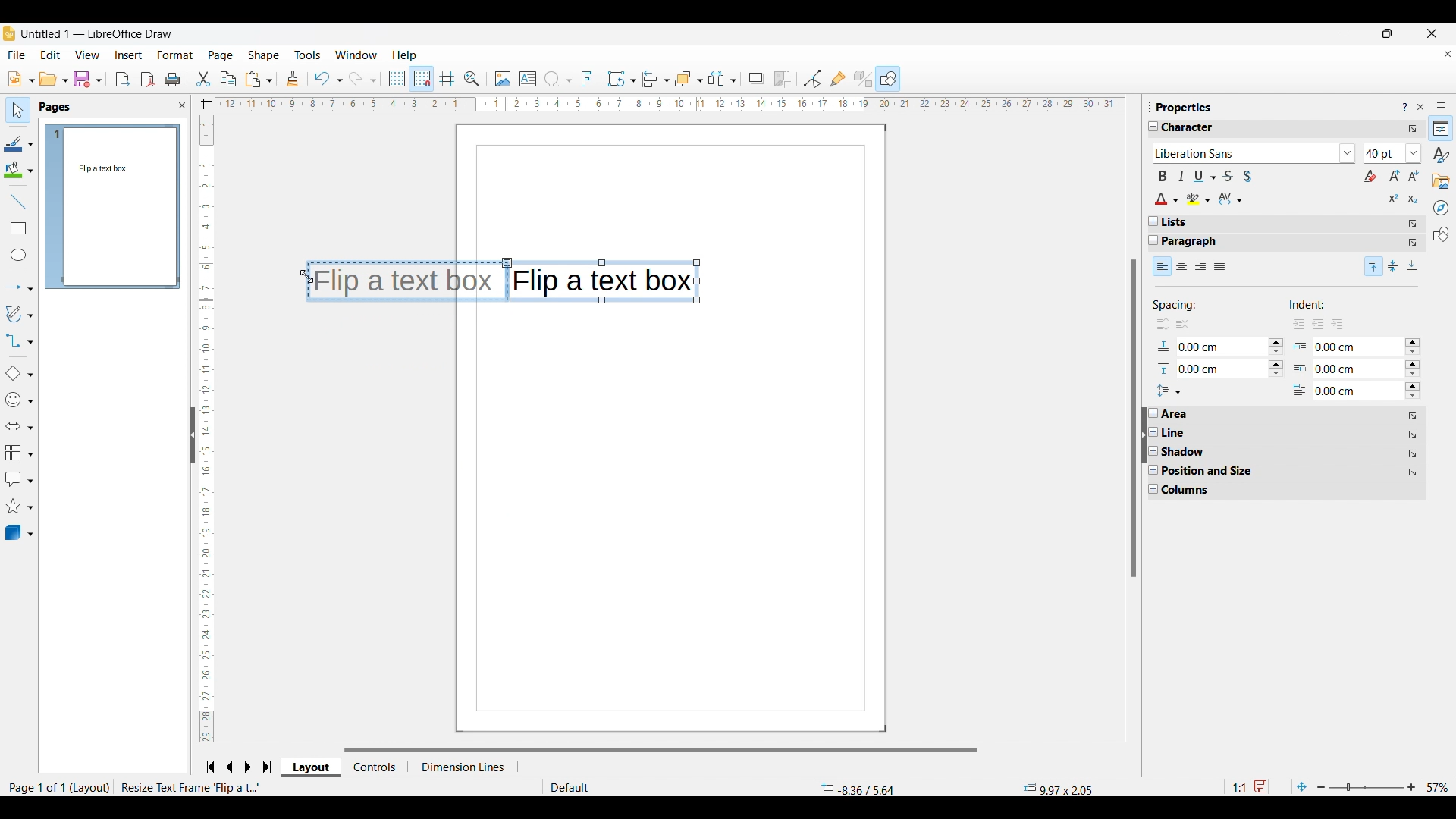  What do you see at coordinates (123, 80) in the screenshot?
I see `Export` at bounding box center [123, 80].